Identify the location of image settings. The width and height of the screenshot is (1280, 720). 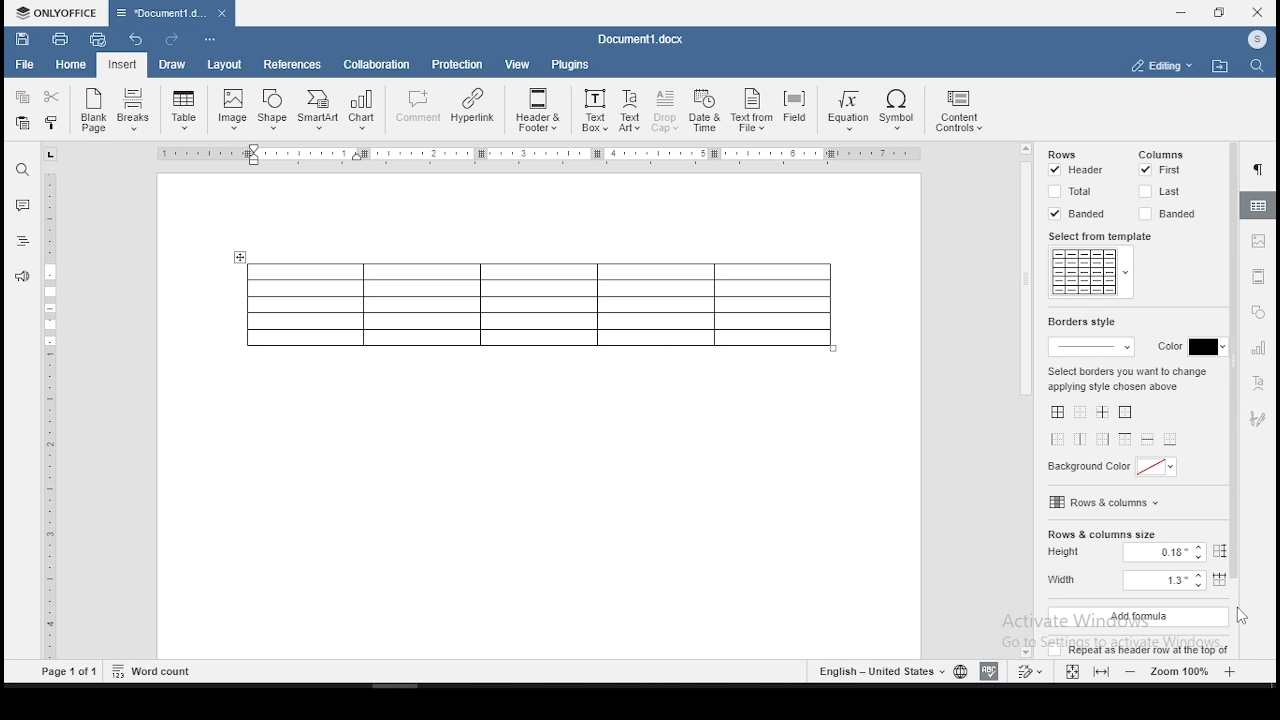
(1260, 242).